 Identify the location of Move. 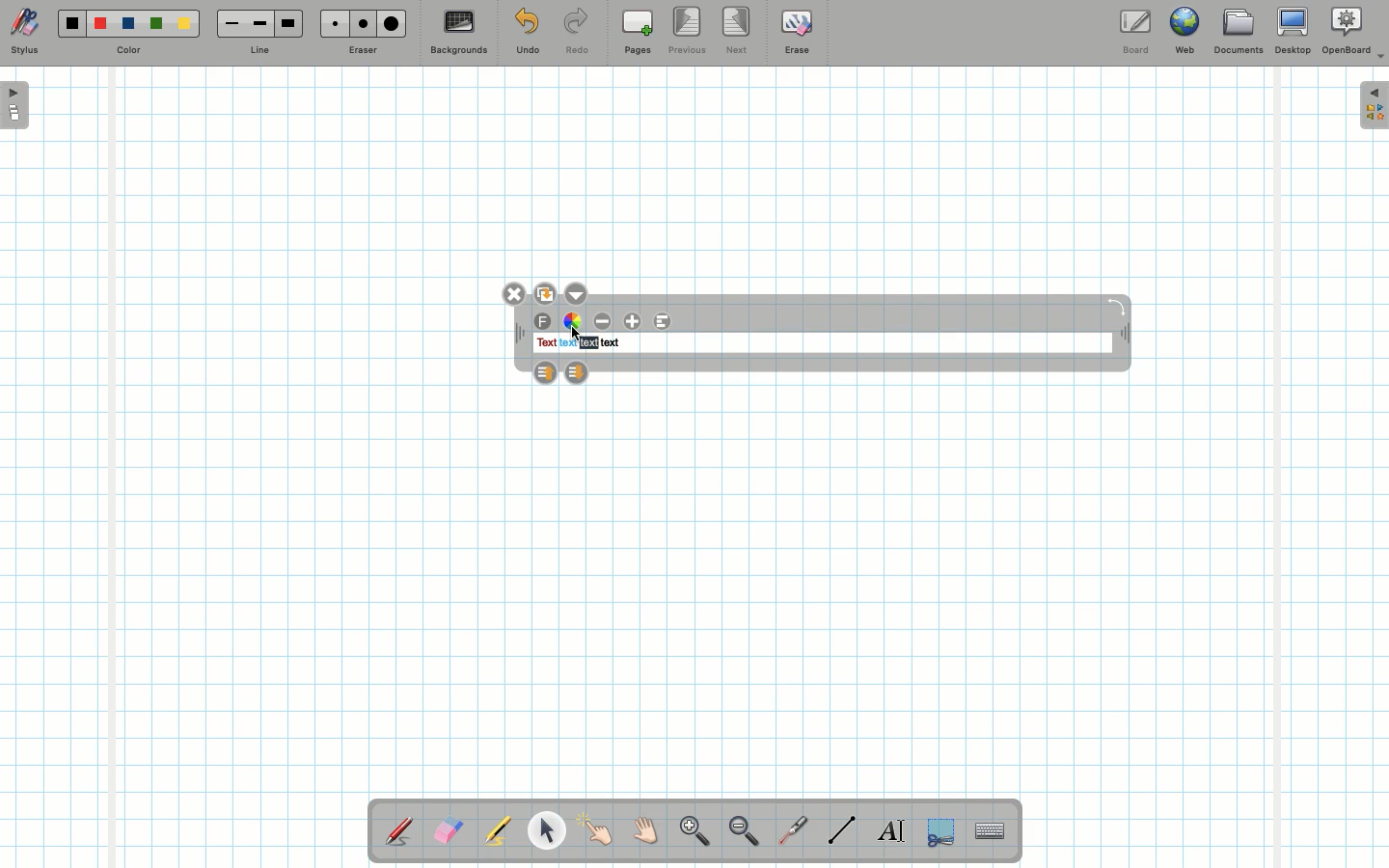
(1123, 336).